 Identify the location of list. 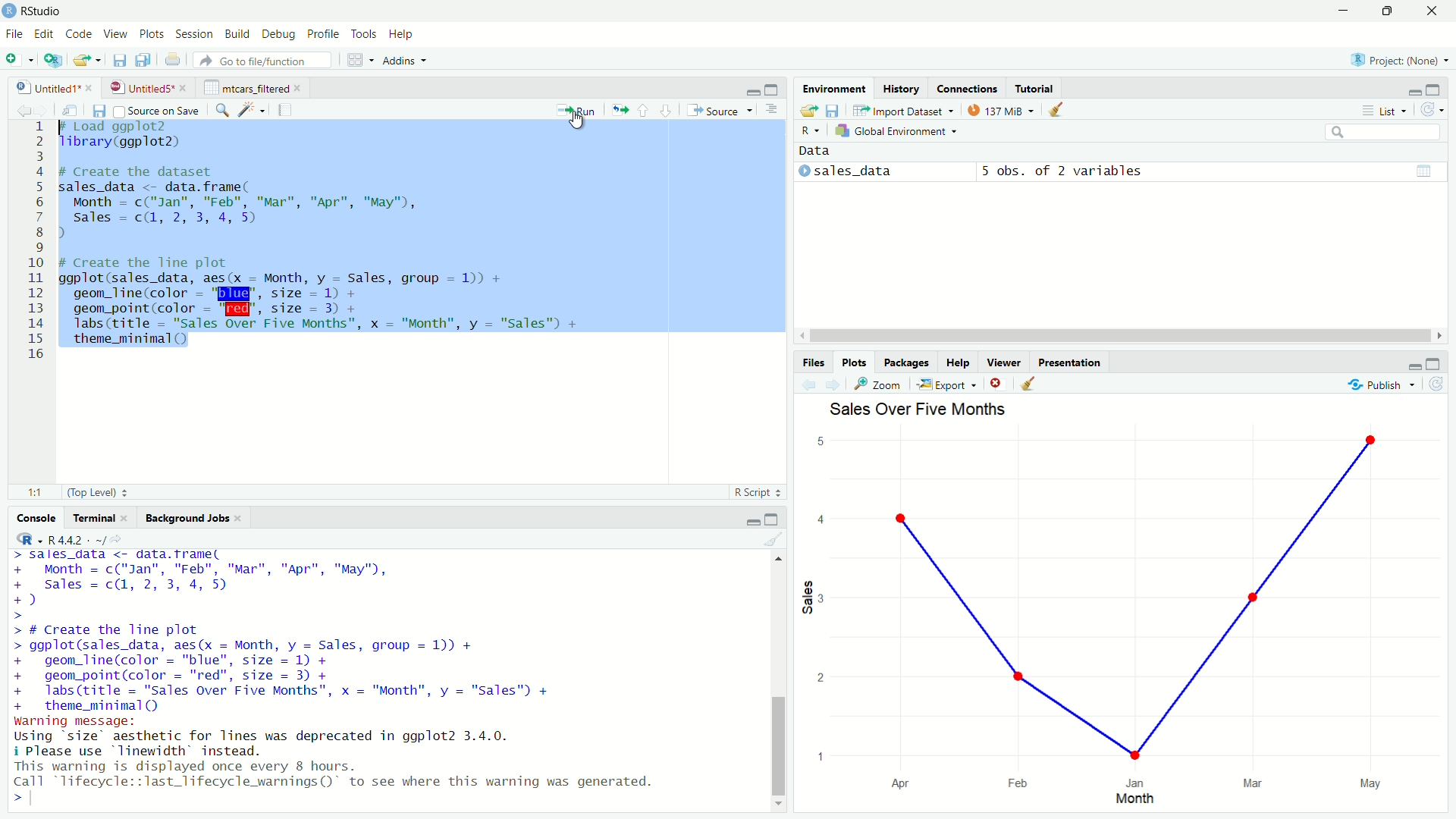
(1389, 109).